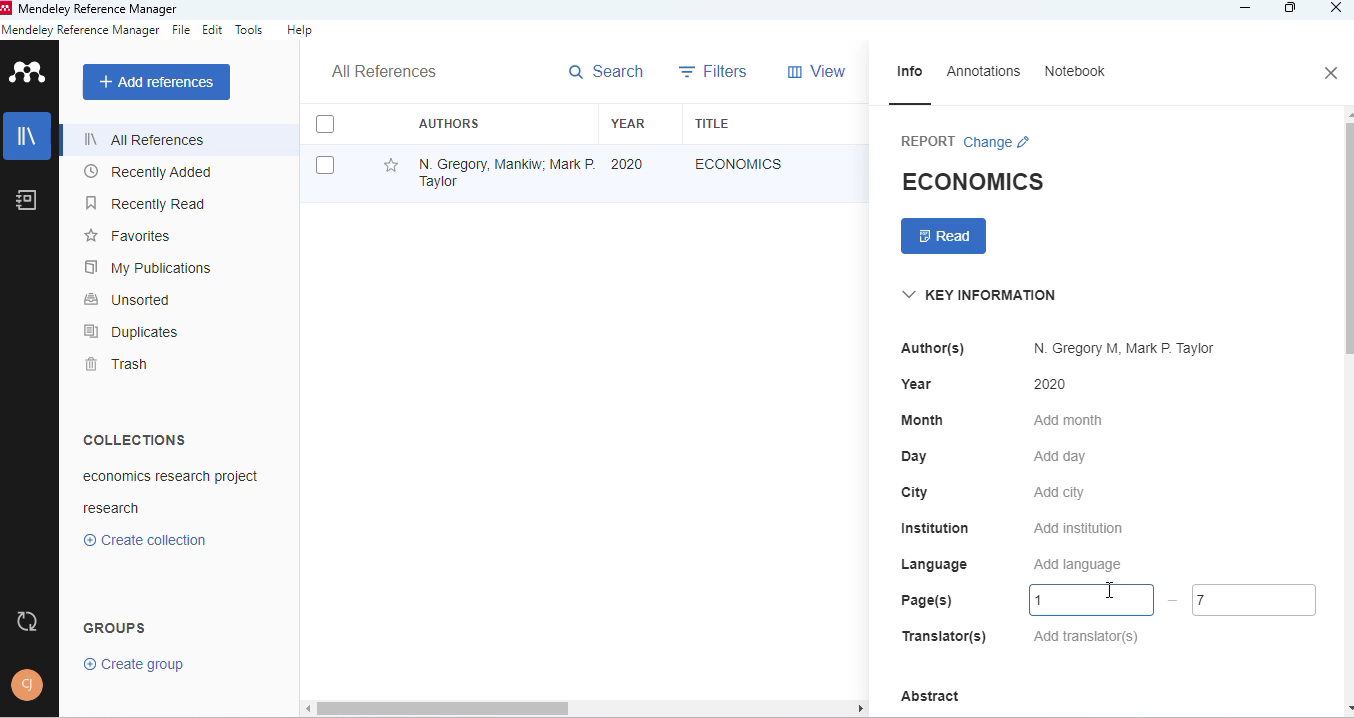 This screenshot has height=718, width=1354. What do you see at coordinates (979, 295) in the screenshot?
I see `key information` at bounding box center [979, 295].